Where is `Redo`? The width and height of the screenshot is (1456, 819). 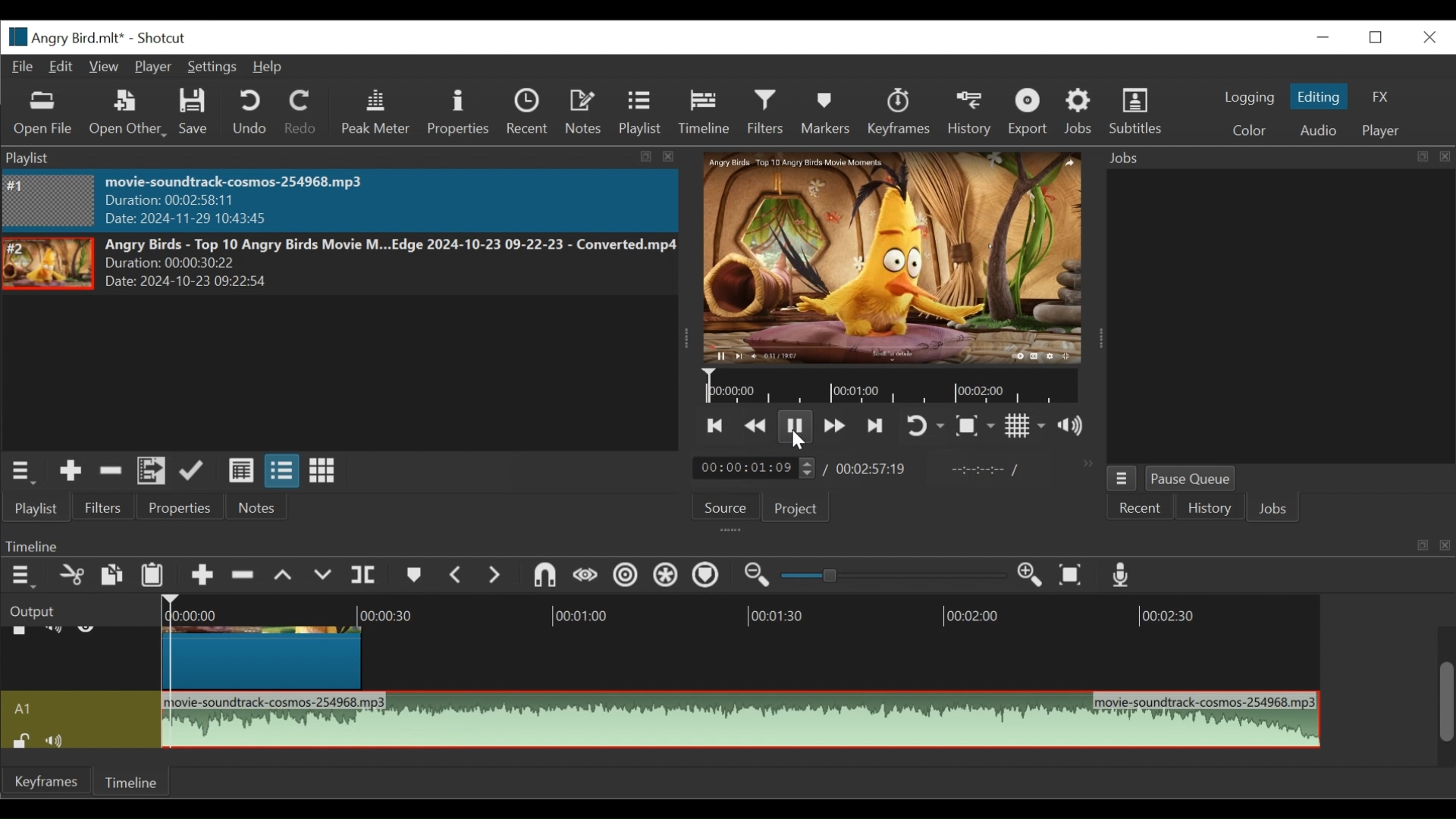 Redo is located at coordinates (303, 112).